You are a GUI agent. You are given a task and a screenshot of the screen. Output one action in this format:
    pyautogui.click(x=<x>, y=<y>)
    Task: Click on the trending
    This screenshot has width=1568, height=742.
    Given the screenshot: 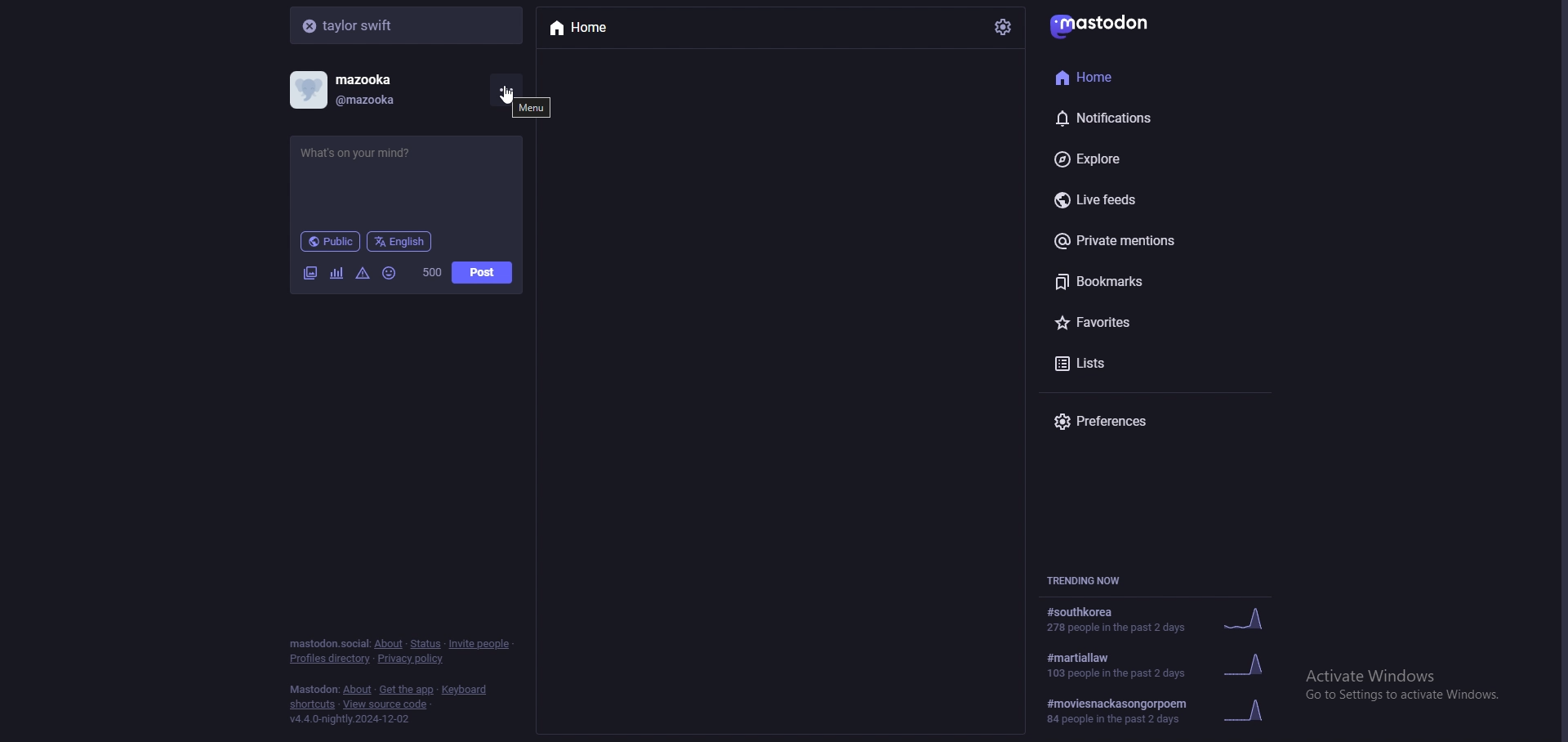 What is the action you would take?
    pyautogui.click(x=1162, y=621)
    